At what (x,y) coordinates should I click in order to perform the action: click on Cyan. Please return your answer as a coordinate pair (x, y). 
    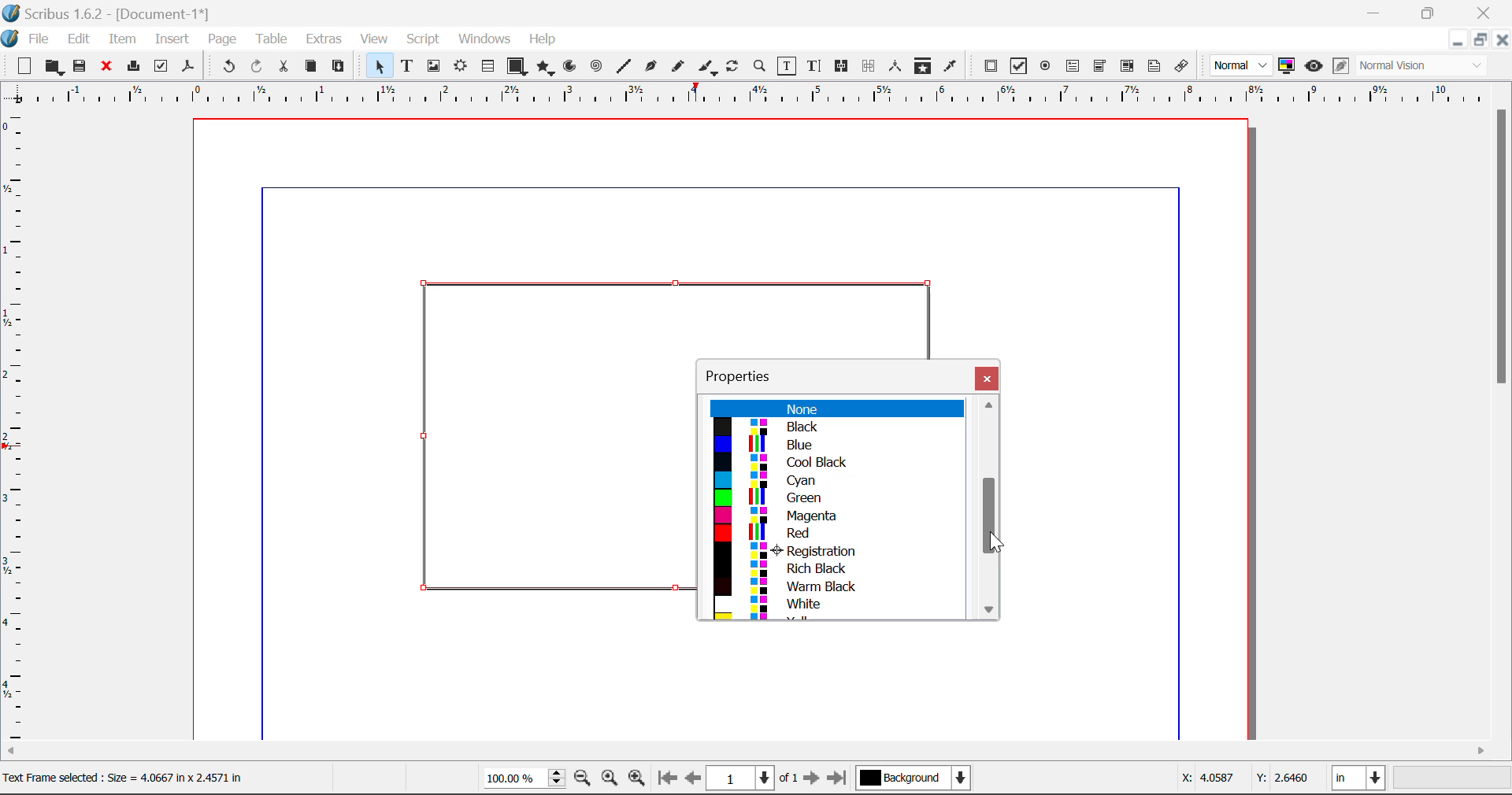
    Looking at the image, I should click on (836, 479).